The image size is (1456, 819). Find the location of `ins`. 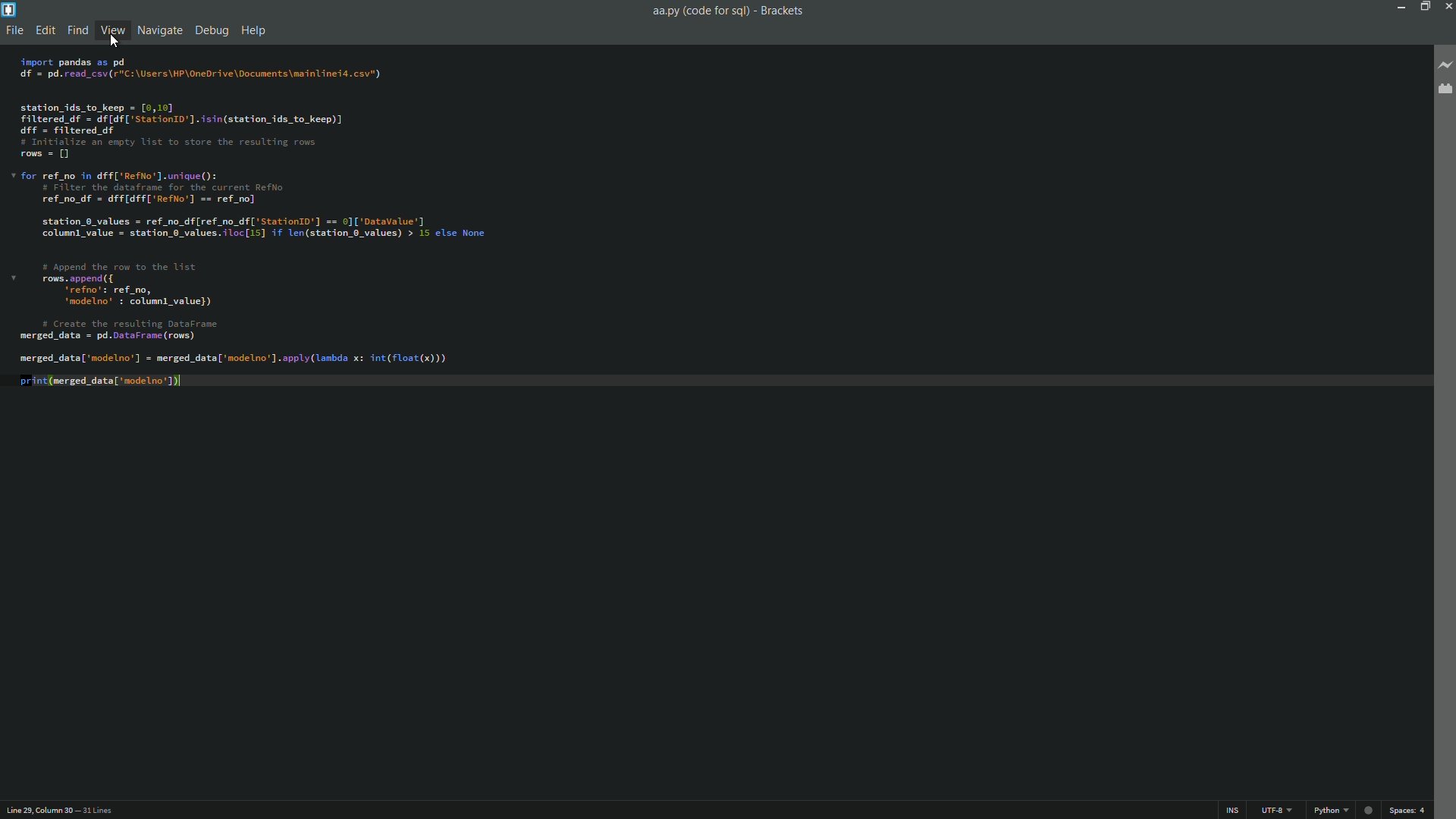

ins is located at coordinates (1235, 809).